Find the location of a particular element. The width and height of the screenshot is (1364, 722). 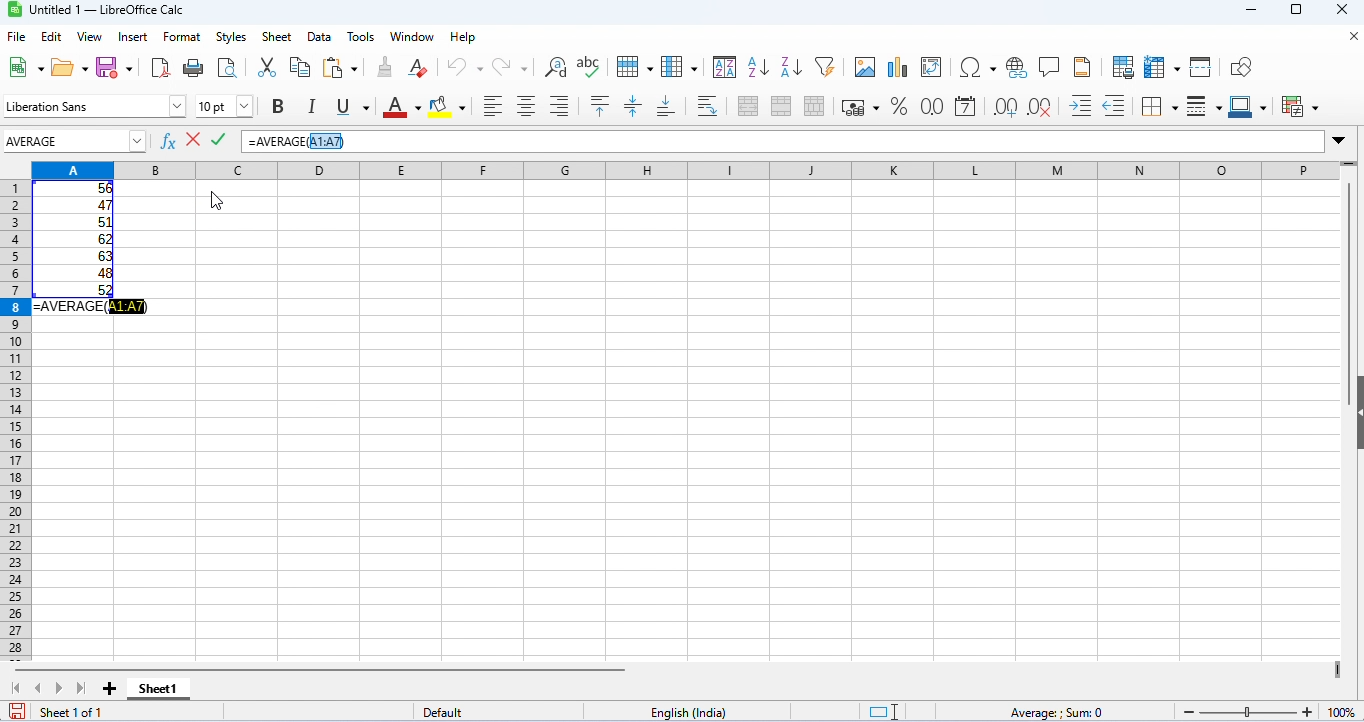

expand is located at coordinates (1339, 141).